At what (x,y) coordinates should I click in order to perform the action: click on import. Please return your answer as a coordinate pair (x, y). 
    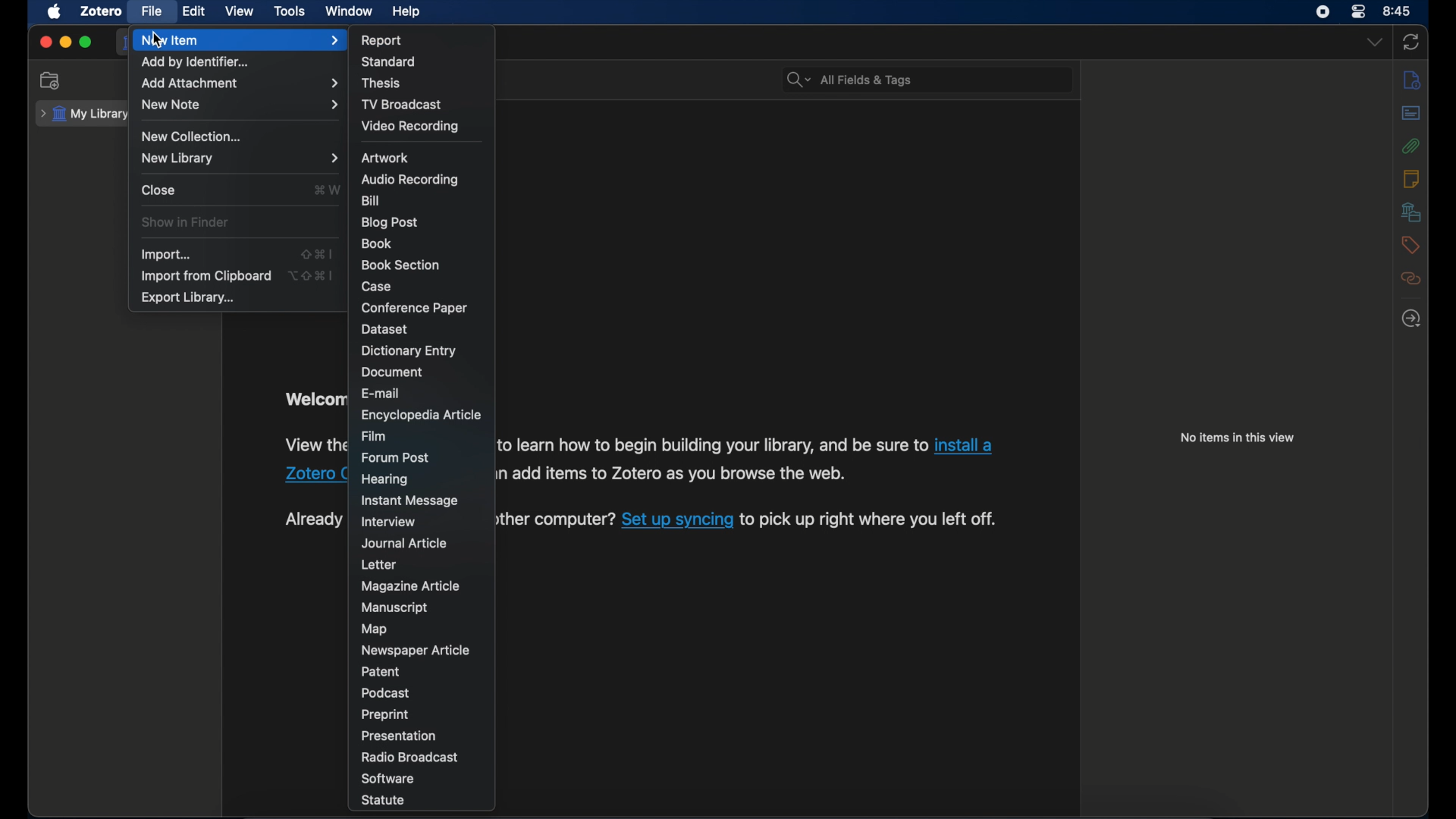
    Looking at the image, I should click on (165, 255).